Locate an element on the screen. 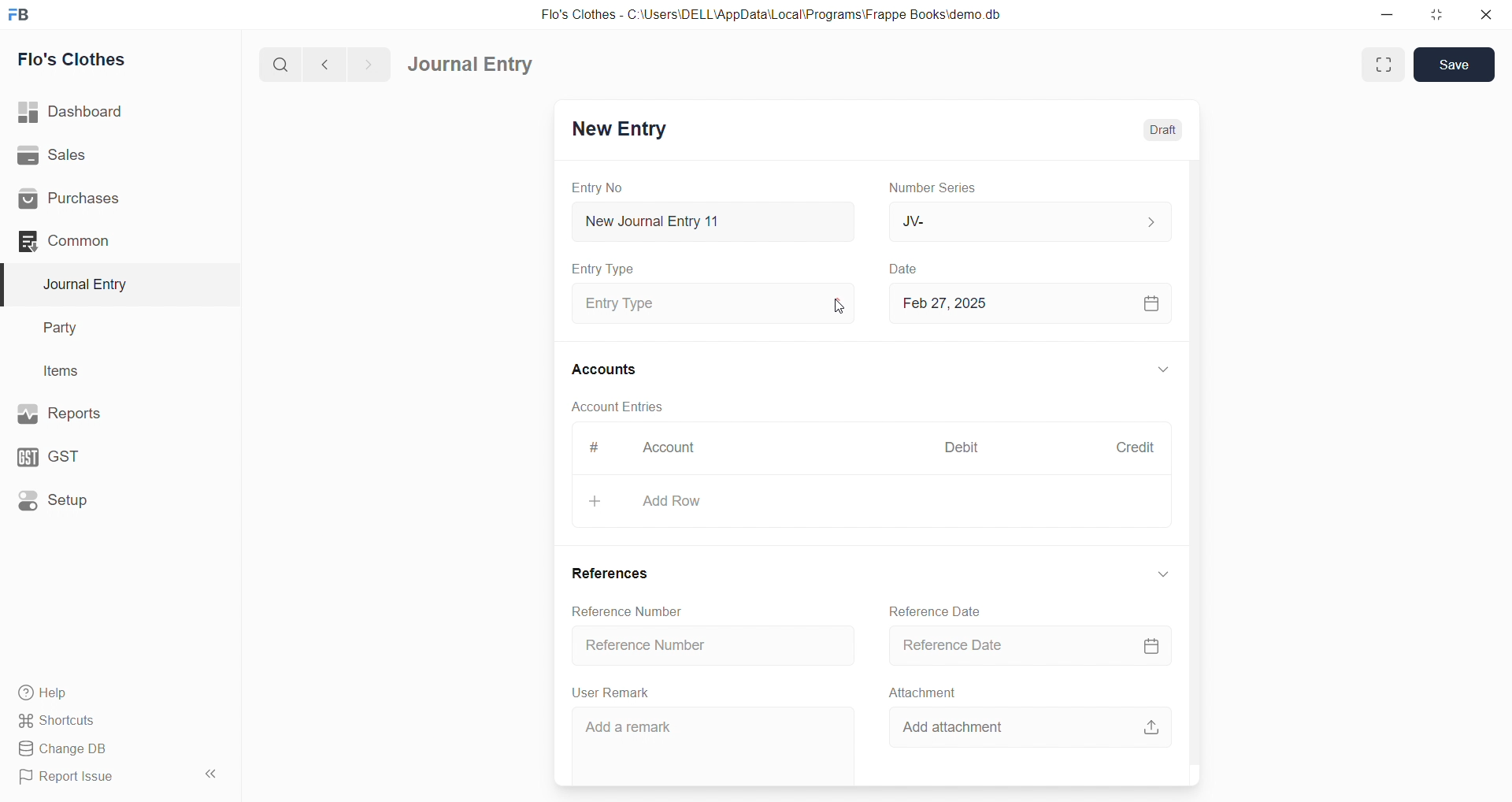 Image resolution: width=1512 pixels, height=802 pixels. collapse sidebar is located at coordinates (213, 774).